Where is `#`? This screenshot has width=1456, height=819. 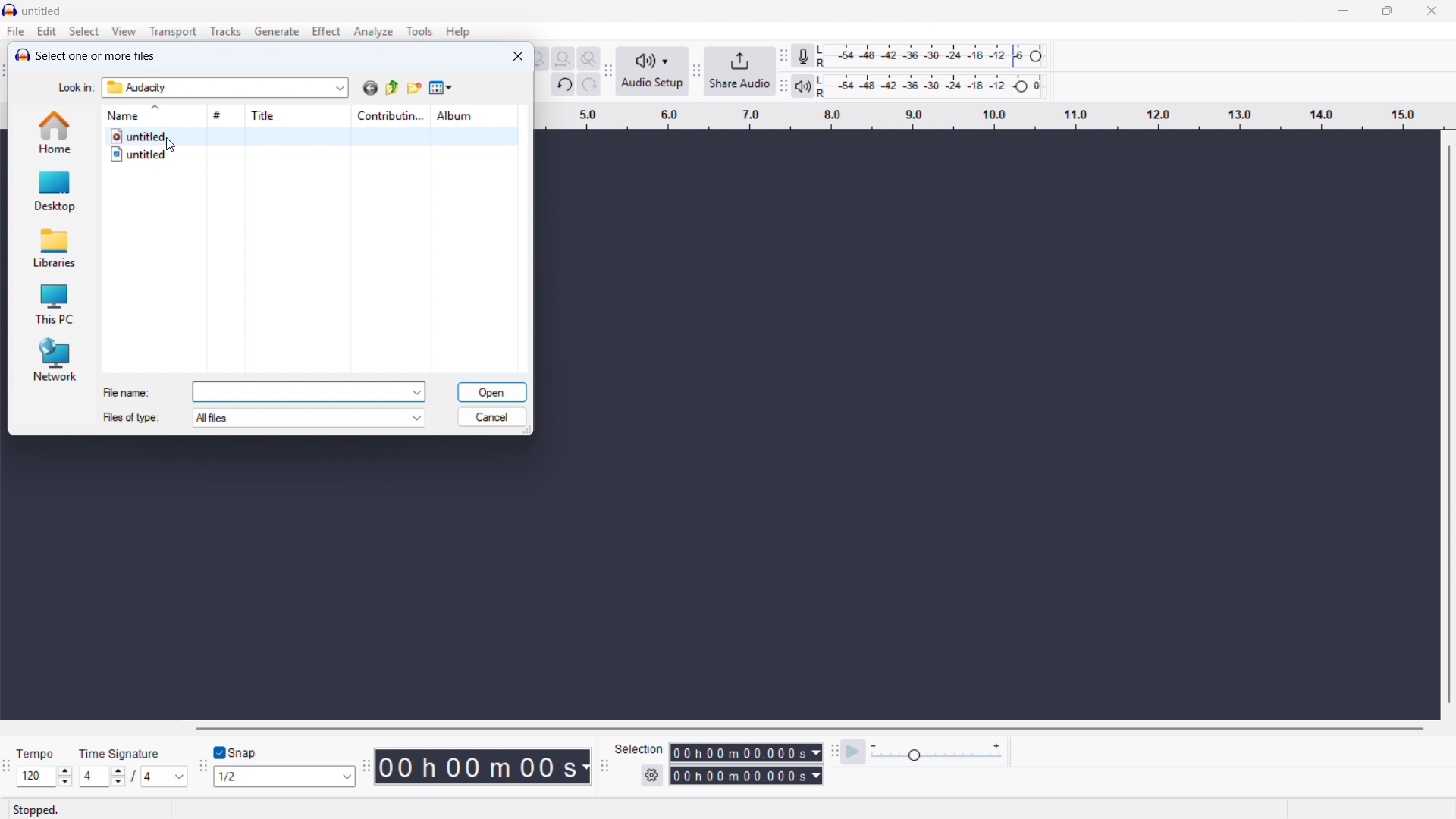 # is located at coordinates (227, 115).